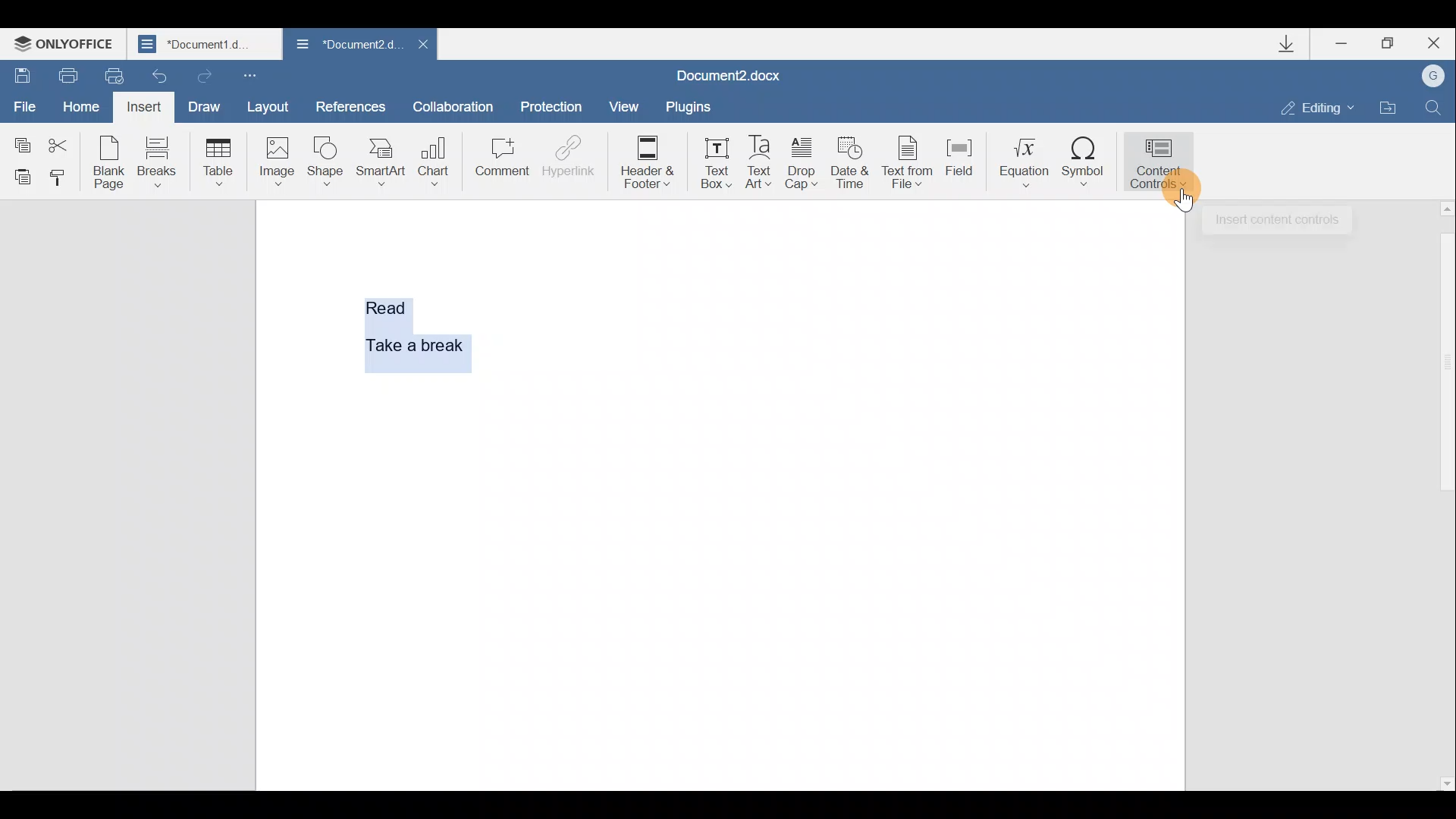 This screenshot has height=819, width=1456. What do you see at coordinates (716, 162) in the screenshot?
I see `Text box` at bounding box center [716, 162].